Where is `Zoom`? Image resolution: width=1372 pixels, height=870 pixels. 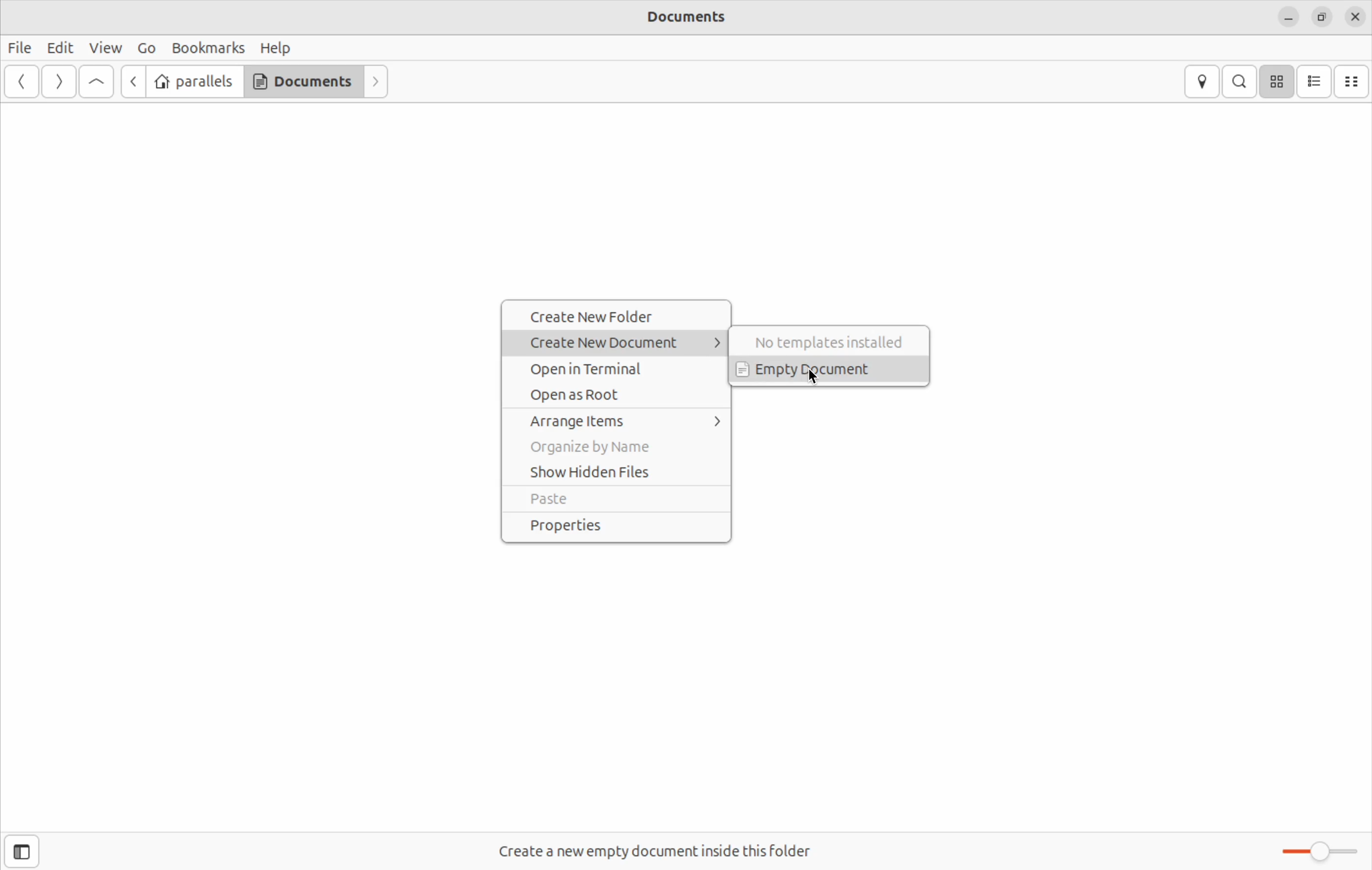
Zoom is located at coordinates (1318, 852).